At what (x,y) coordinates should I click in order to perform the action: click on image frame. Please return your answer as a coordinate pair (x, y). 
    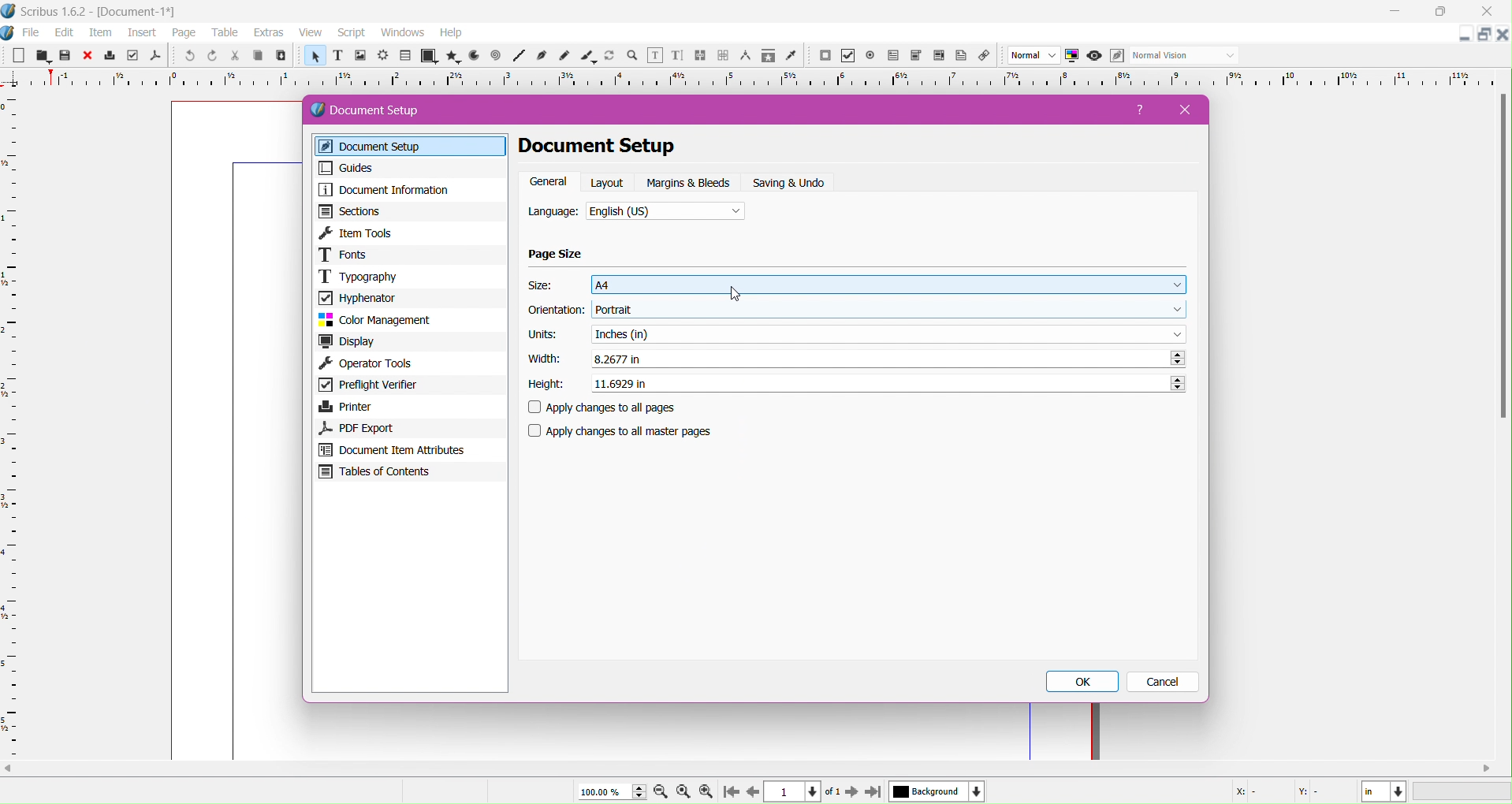
    Looking at the image, I should click on (359, 57).